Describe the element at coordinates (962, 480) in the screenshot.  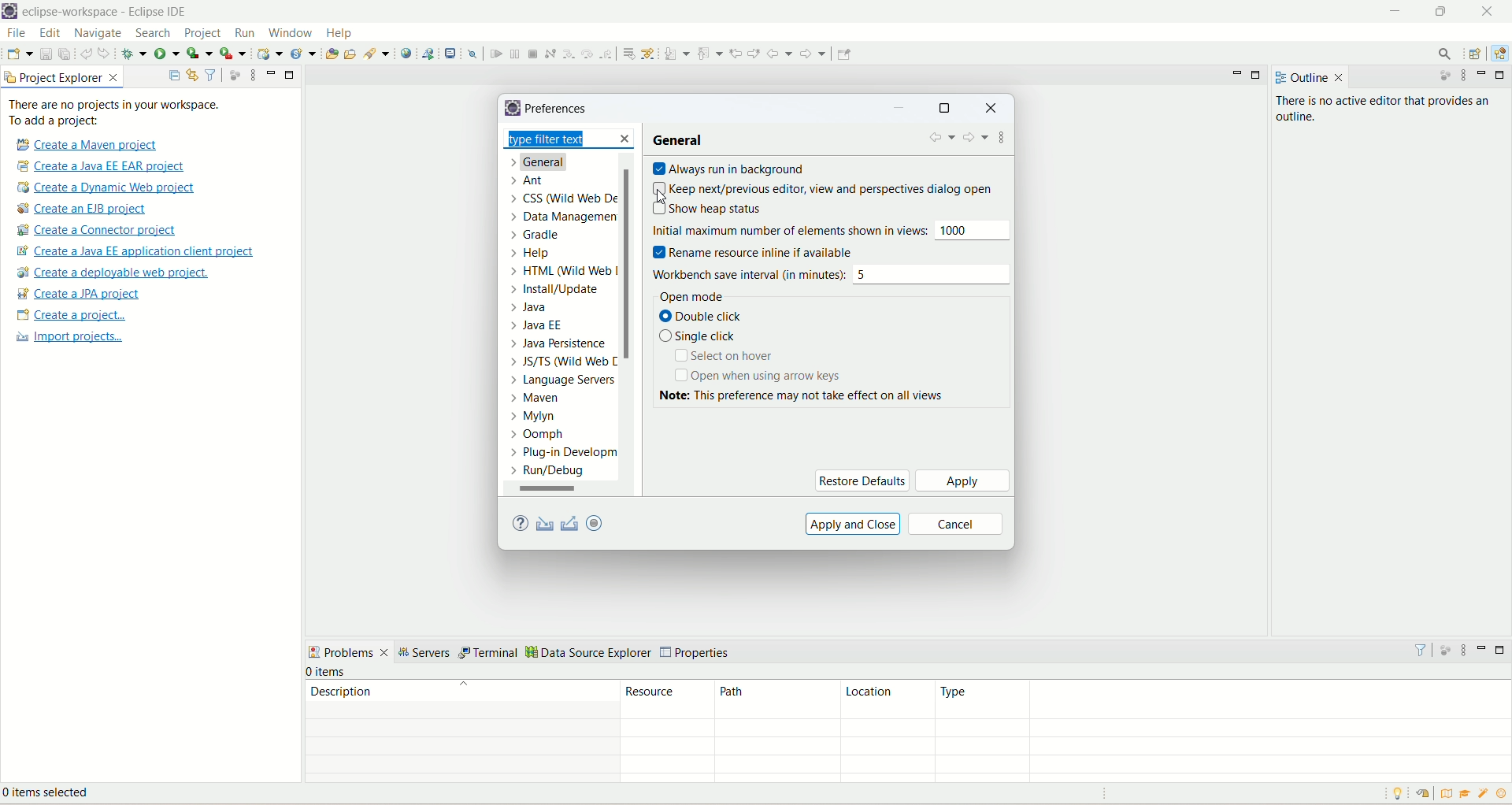
I see `apply` at that location.